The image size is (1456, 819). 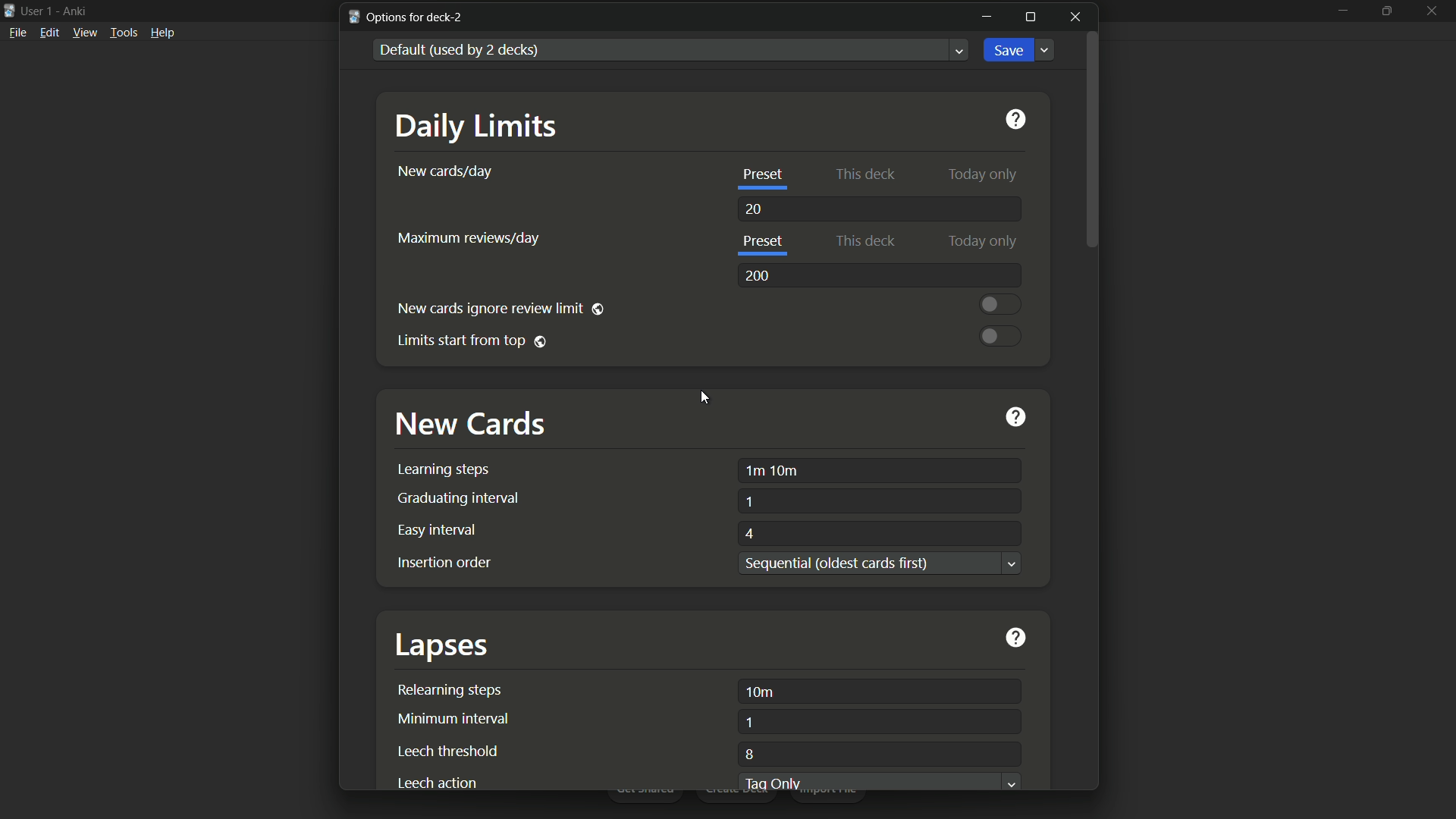 What do you see at coordinates (1004, 336) in the screenshot?
I see `toggle button` at bounding box center [1004, 336].